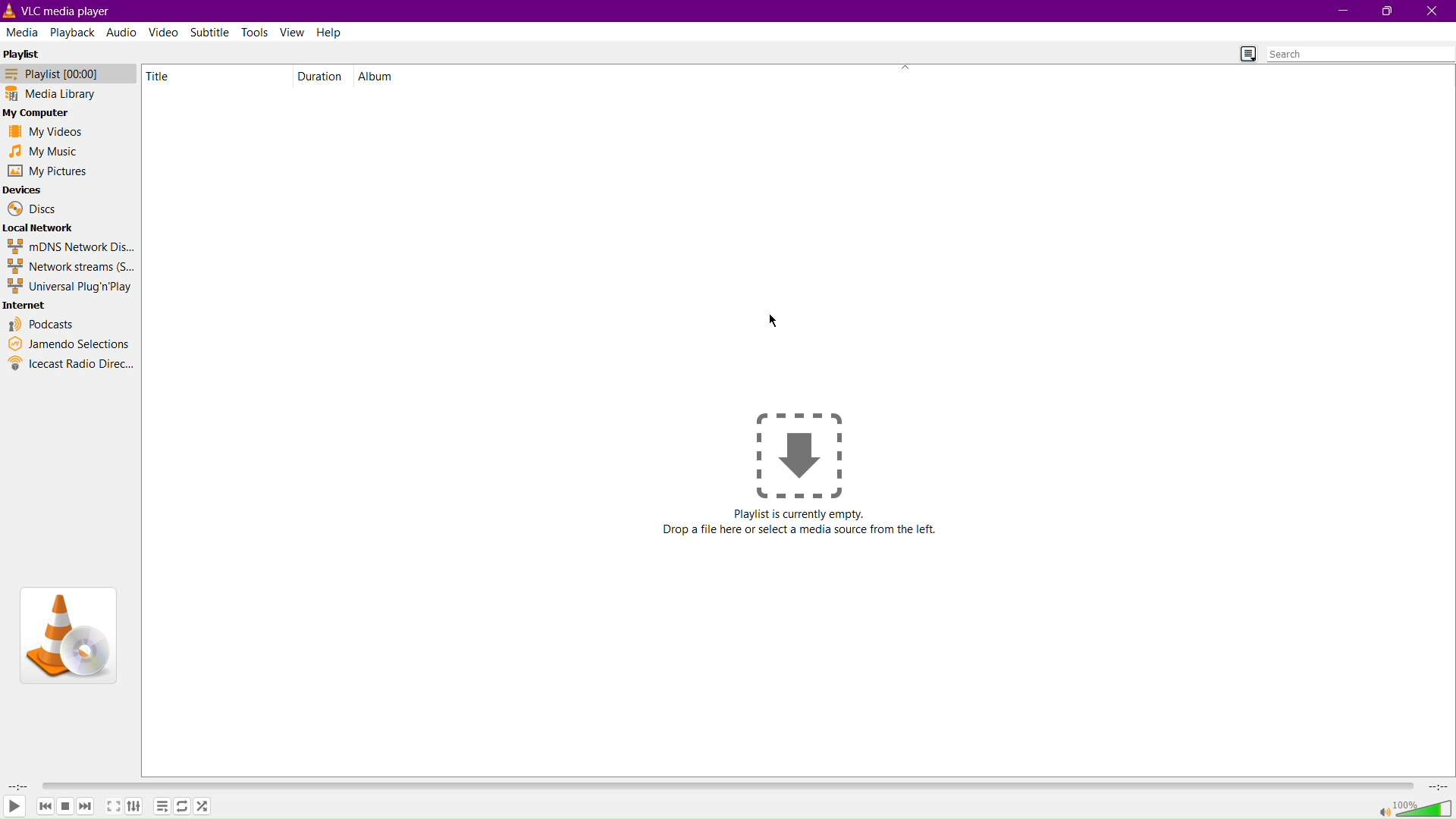  What do you see at coordinates (47, 171) in the screenshot?
I see `My Pictures` at bounding box center [47, 171].